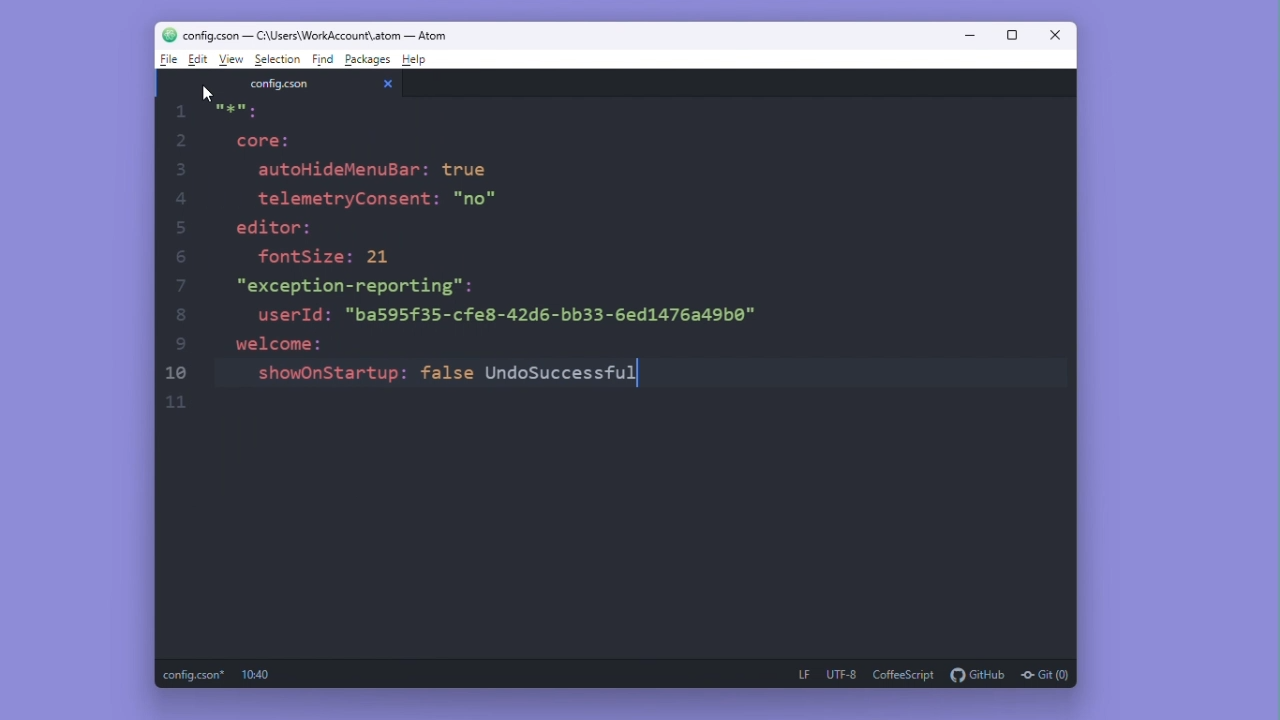  I want to click on git(0), so click(1046, 673).